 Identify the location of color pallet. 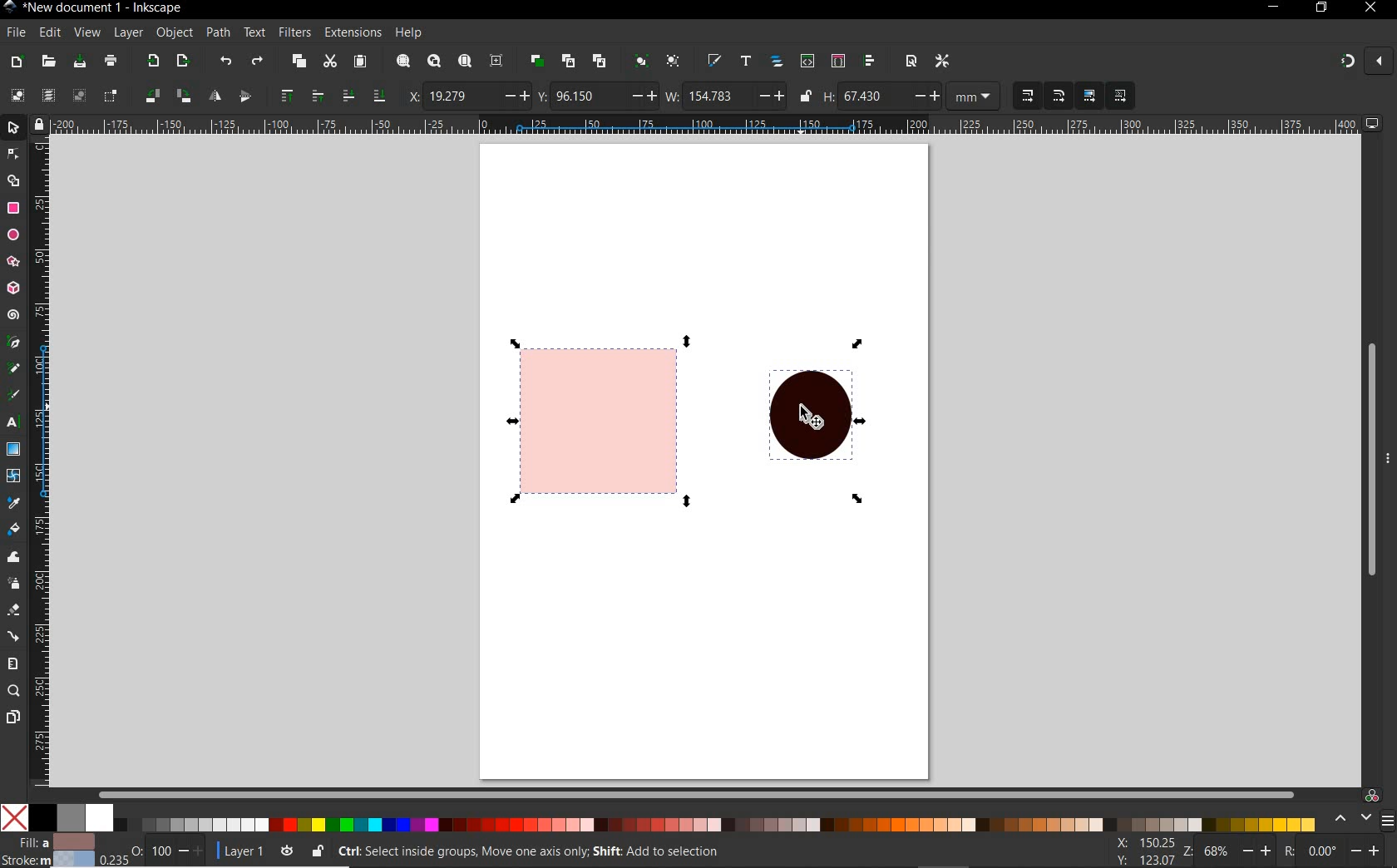
(689, 818).